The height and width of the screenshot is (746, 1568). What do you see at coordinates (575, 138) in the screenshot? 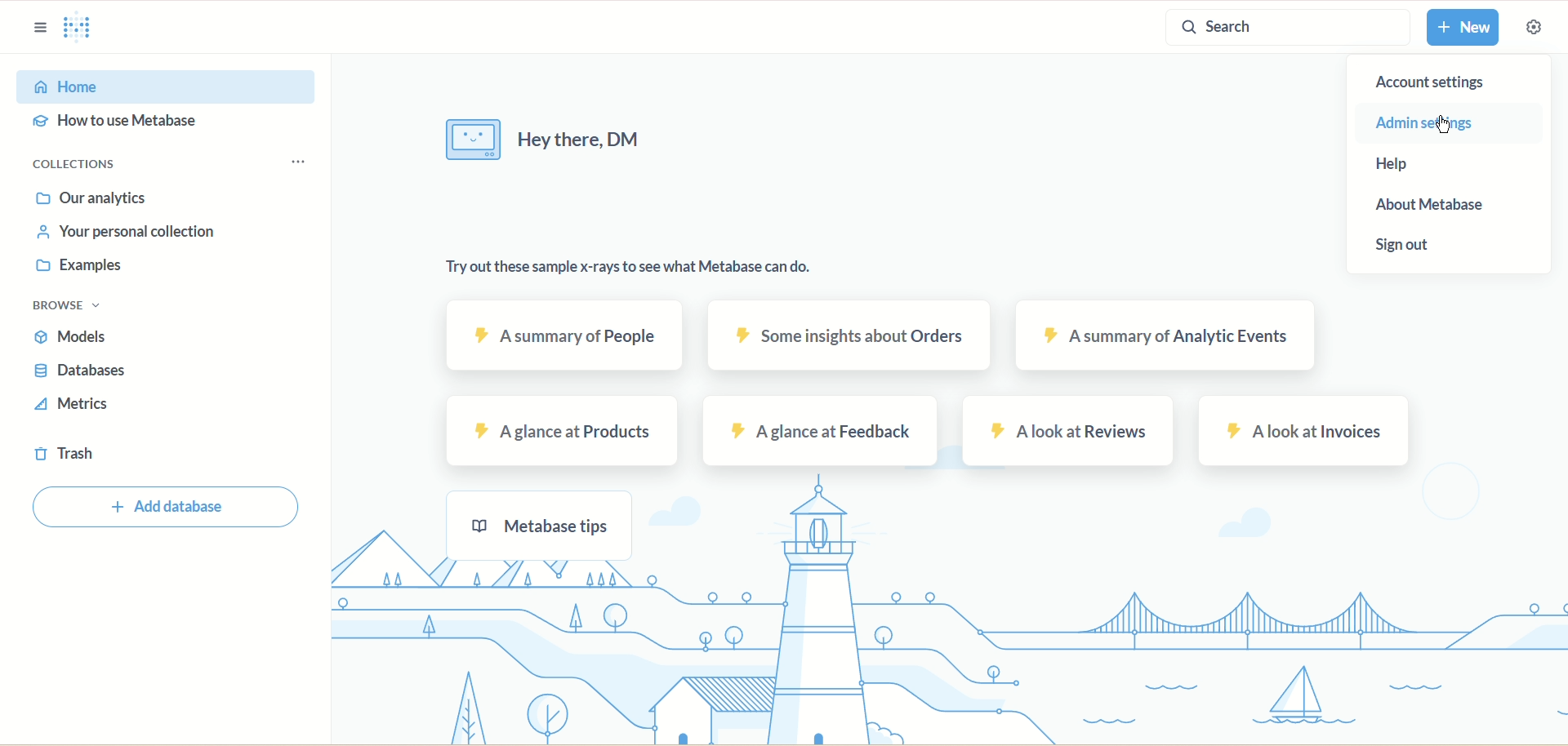
I see `hey there, DM` at bounding box center [575, 138].